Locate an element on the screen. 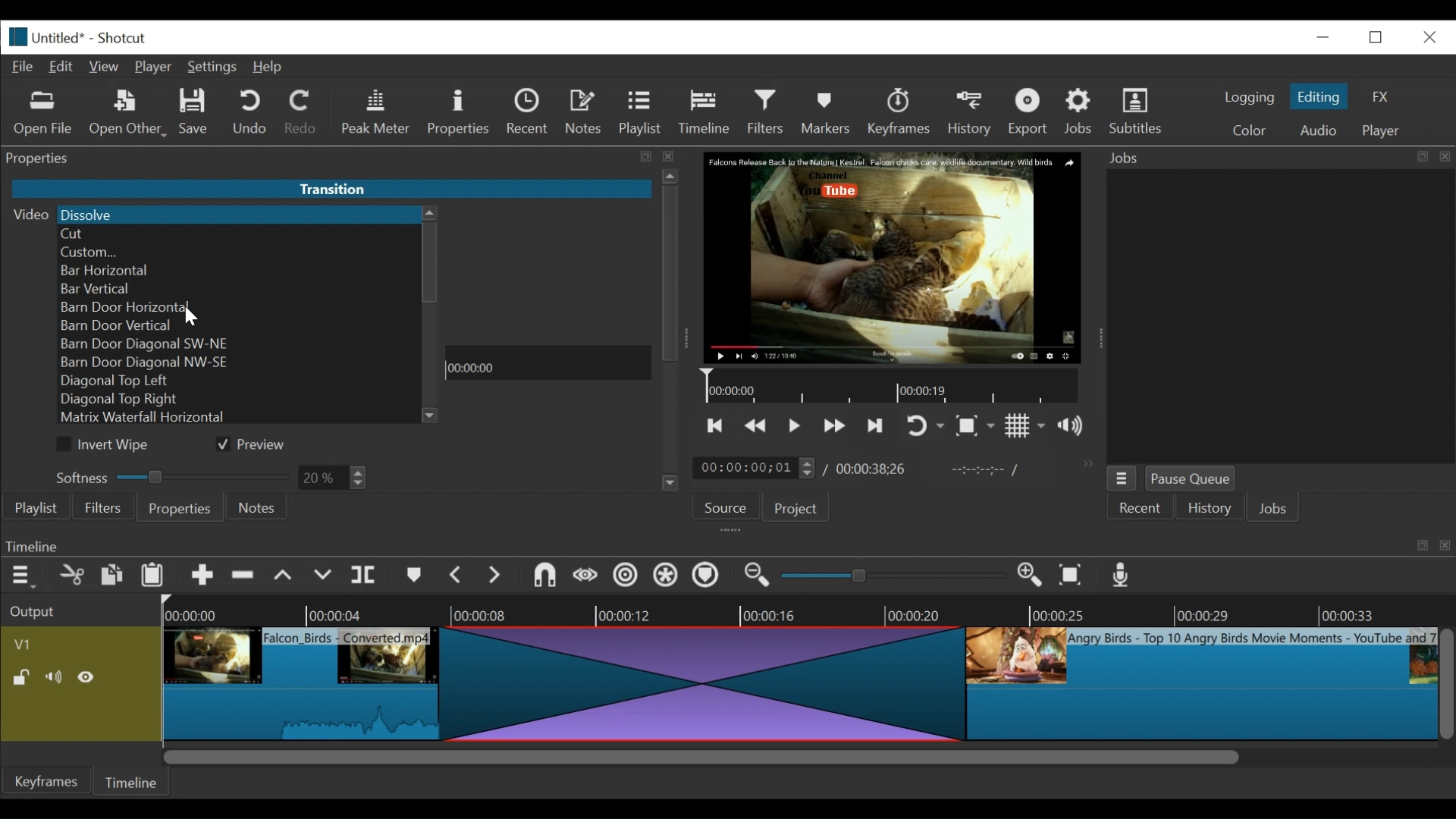 This screenshot has width=1456, height=819. clip is located at coordinates (305, 679).